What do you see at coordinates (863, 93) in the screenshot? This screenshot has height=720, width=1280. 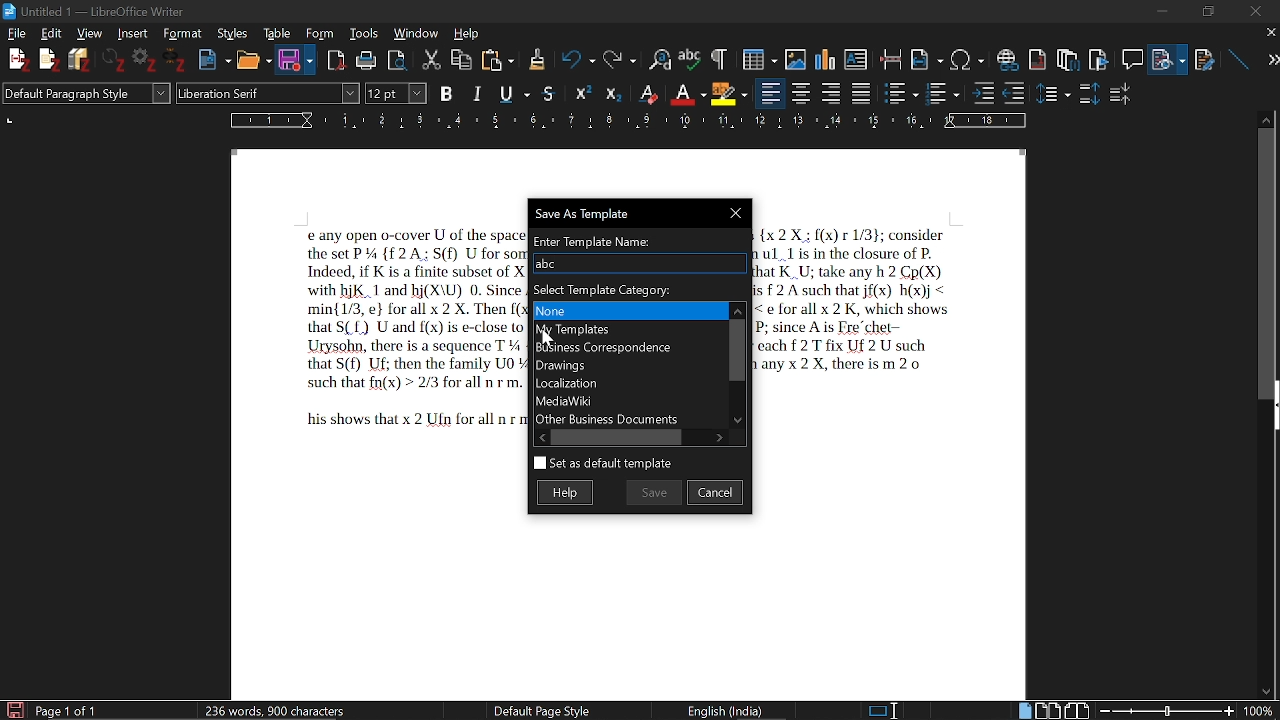 I see `justified` at bounding box center [863, 93].